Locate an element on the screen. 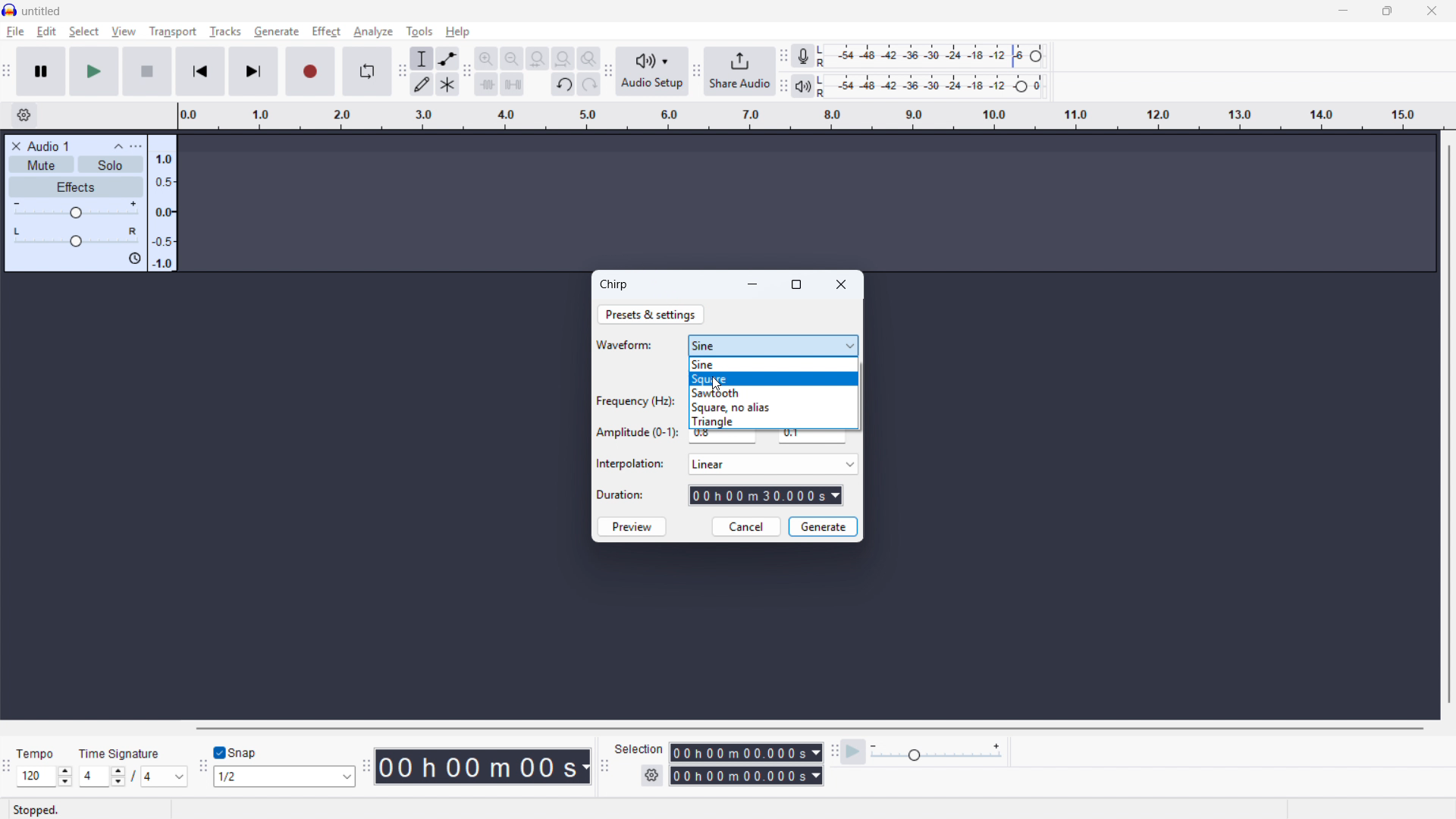 This screenshot has width=1456, height=819. Close  is located at coordinates (1430, 11).